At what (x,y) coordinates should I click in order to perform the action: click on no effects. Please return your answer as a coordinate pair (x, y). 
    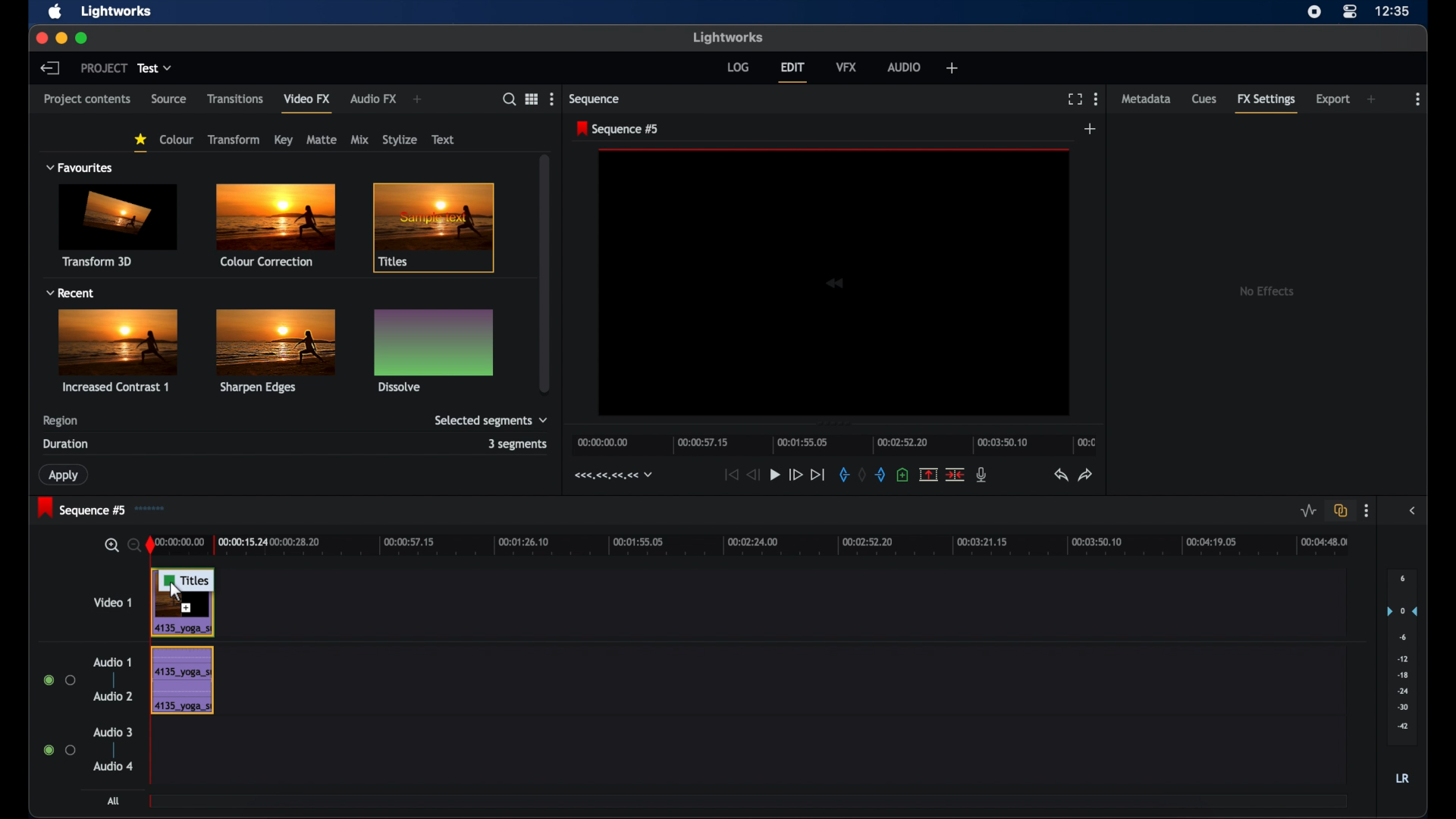
    Looking at the image, I should click on (1264, 292).